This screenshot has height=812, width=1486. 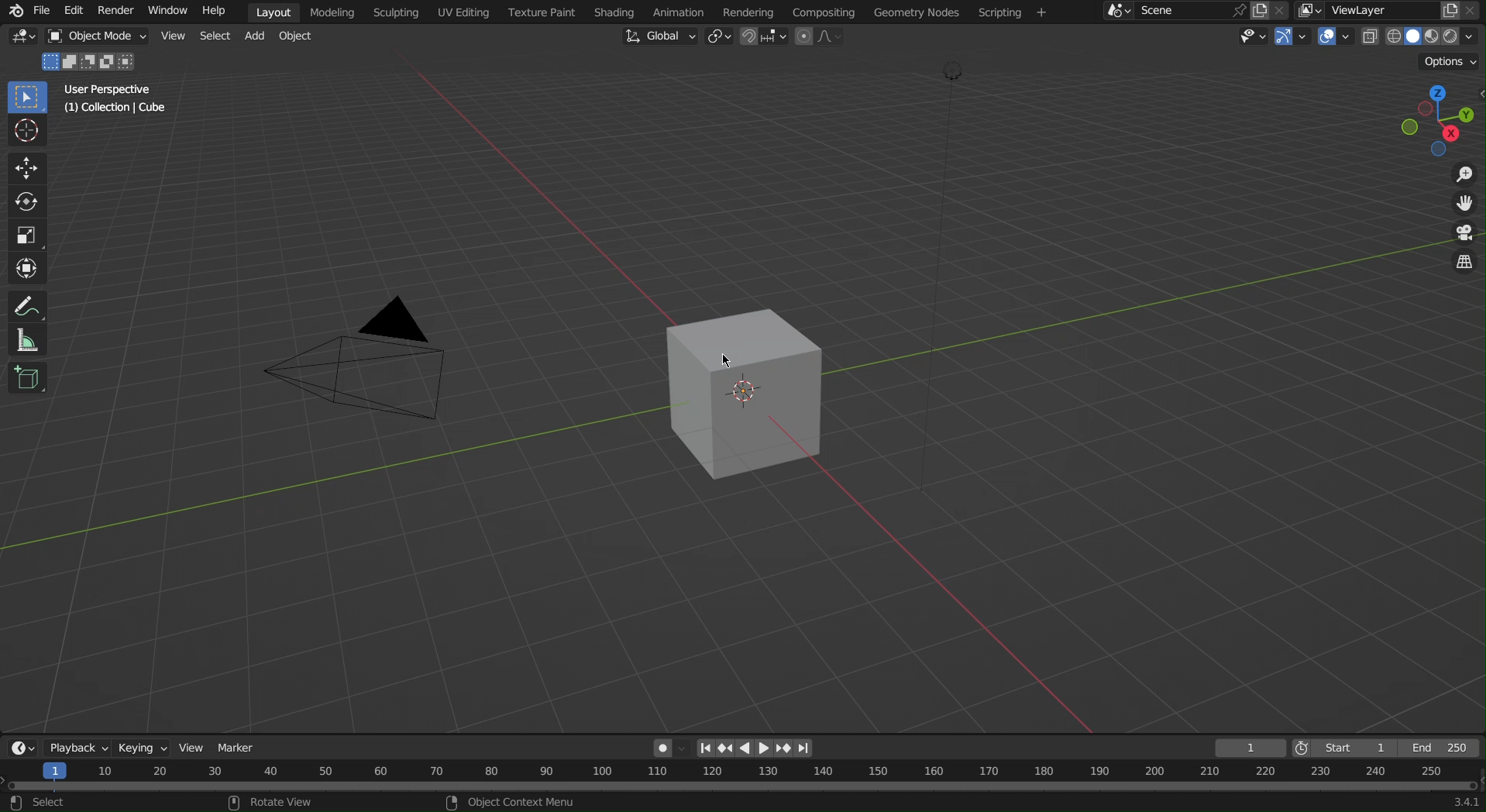 I want to click on Layout, so click(x=274, y=11).